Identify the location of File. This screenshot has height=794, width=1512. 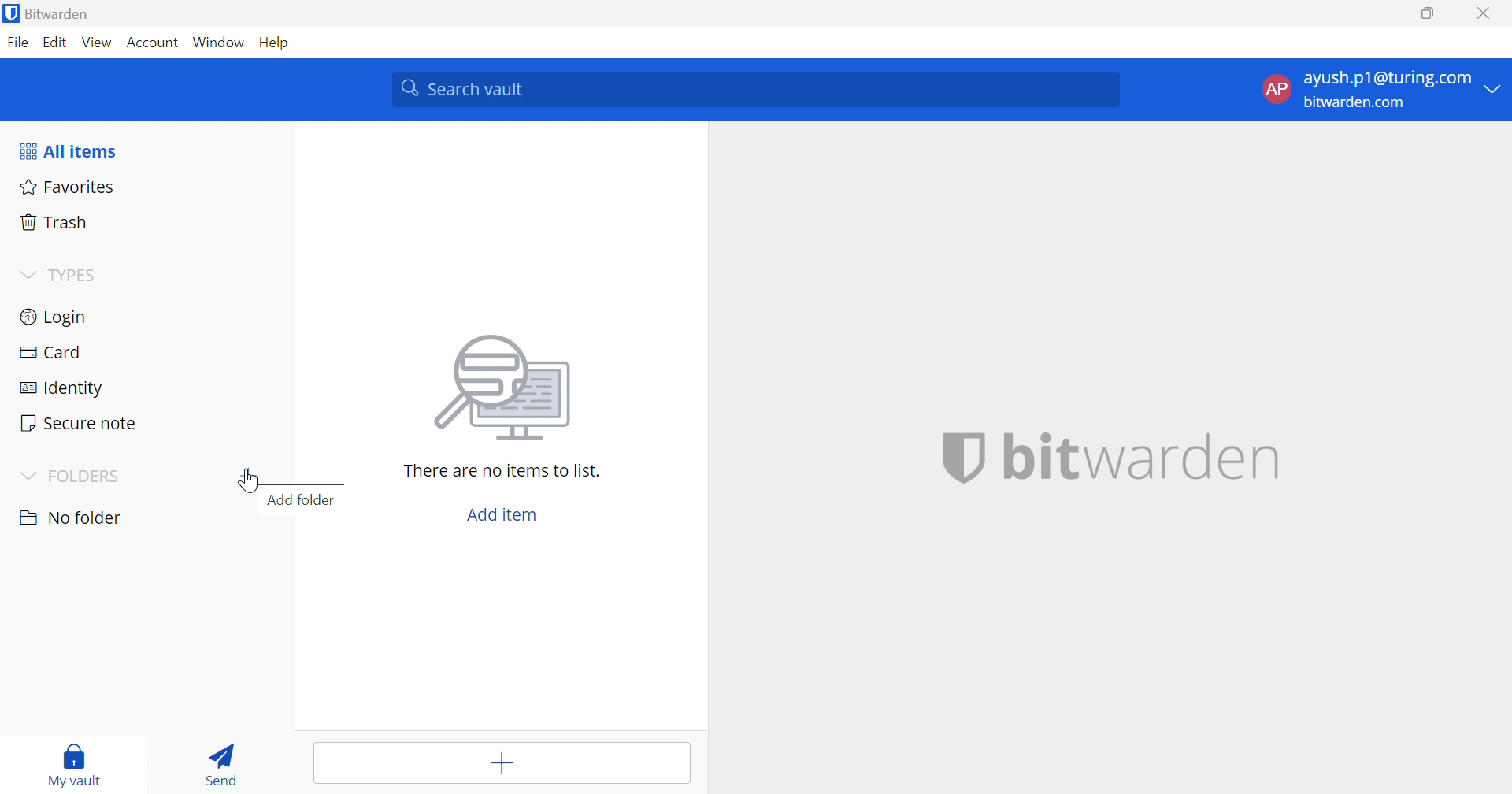
(18, 39).